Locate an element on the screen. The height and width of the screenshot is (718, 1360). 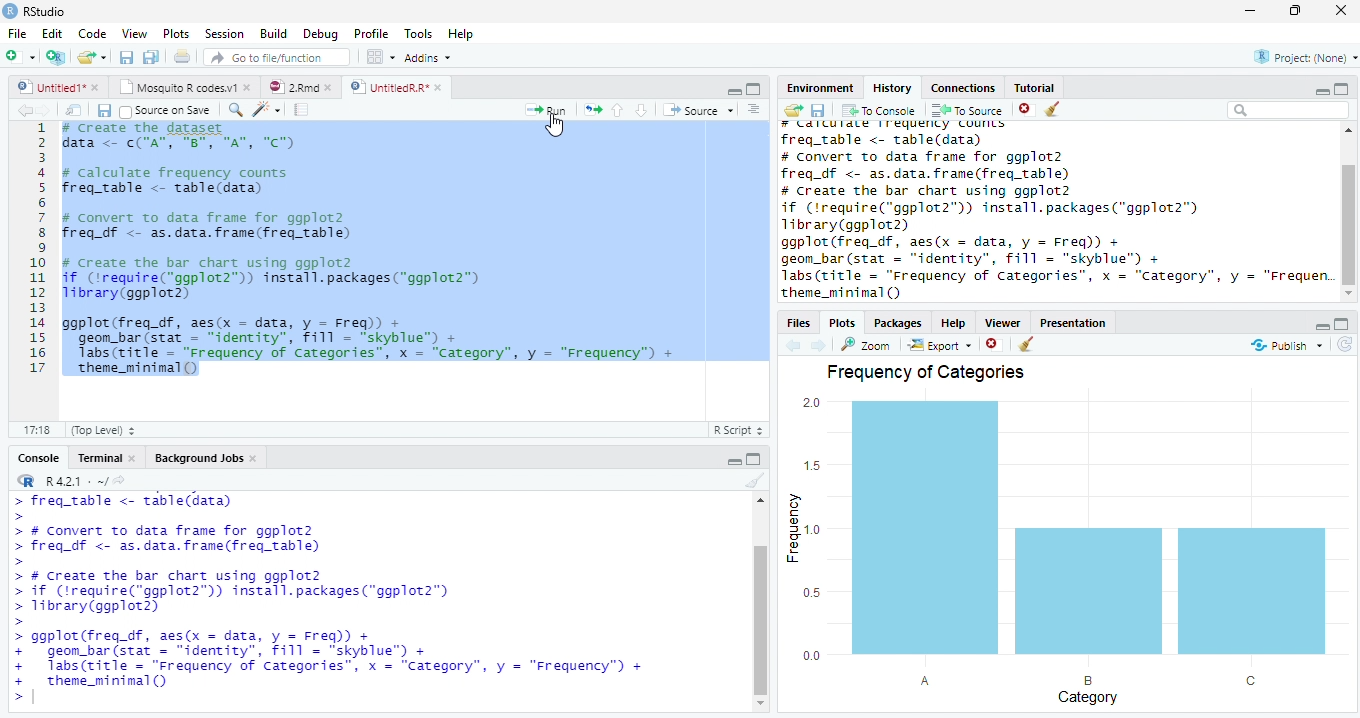
Edit is located at coordinates (52, 35).